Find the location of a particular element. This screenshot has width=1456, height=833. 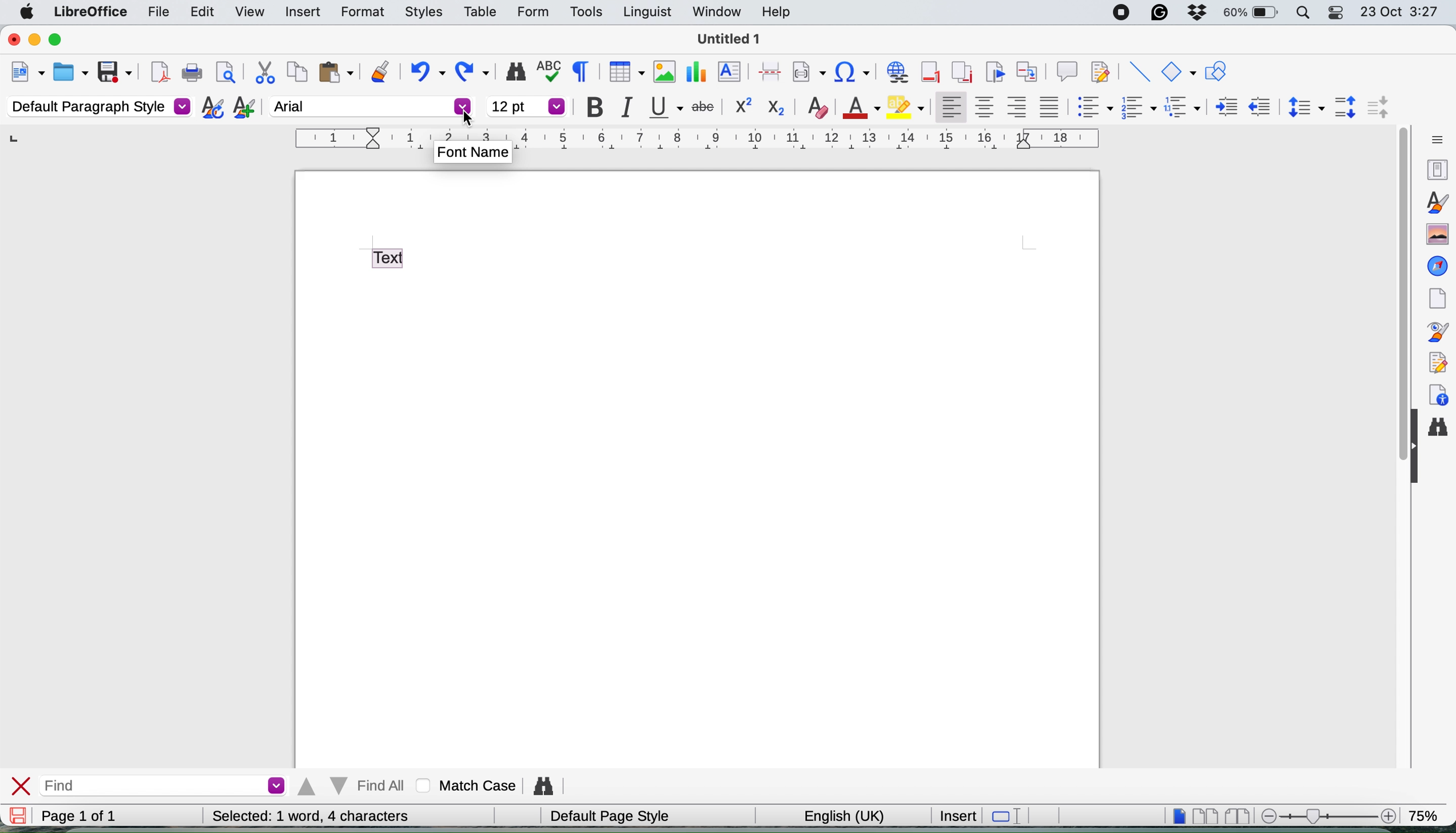

default paragraph style is located at coordinates (97, 108).